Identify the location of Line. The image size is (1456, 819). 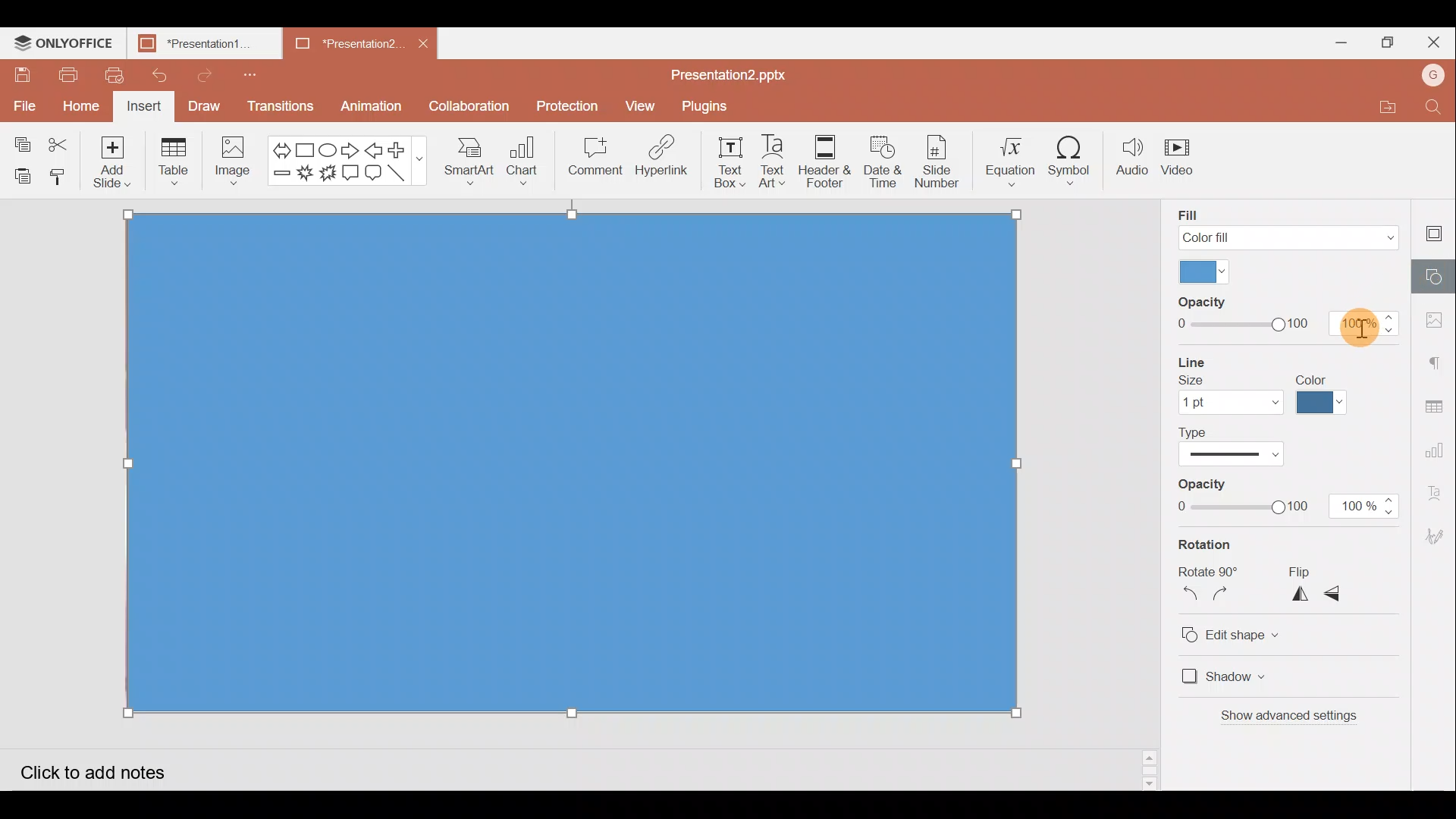
(402, 175).